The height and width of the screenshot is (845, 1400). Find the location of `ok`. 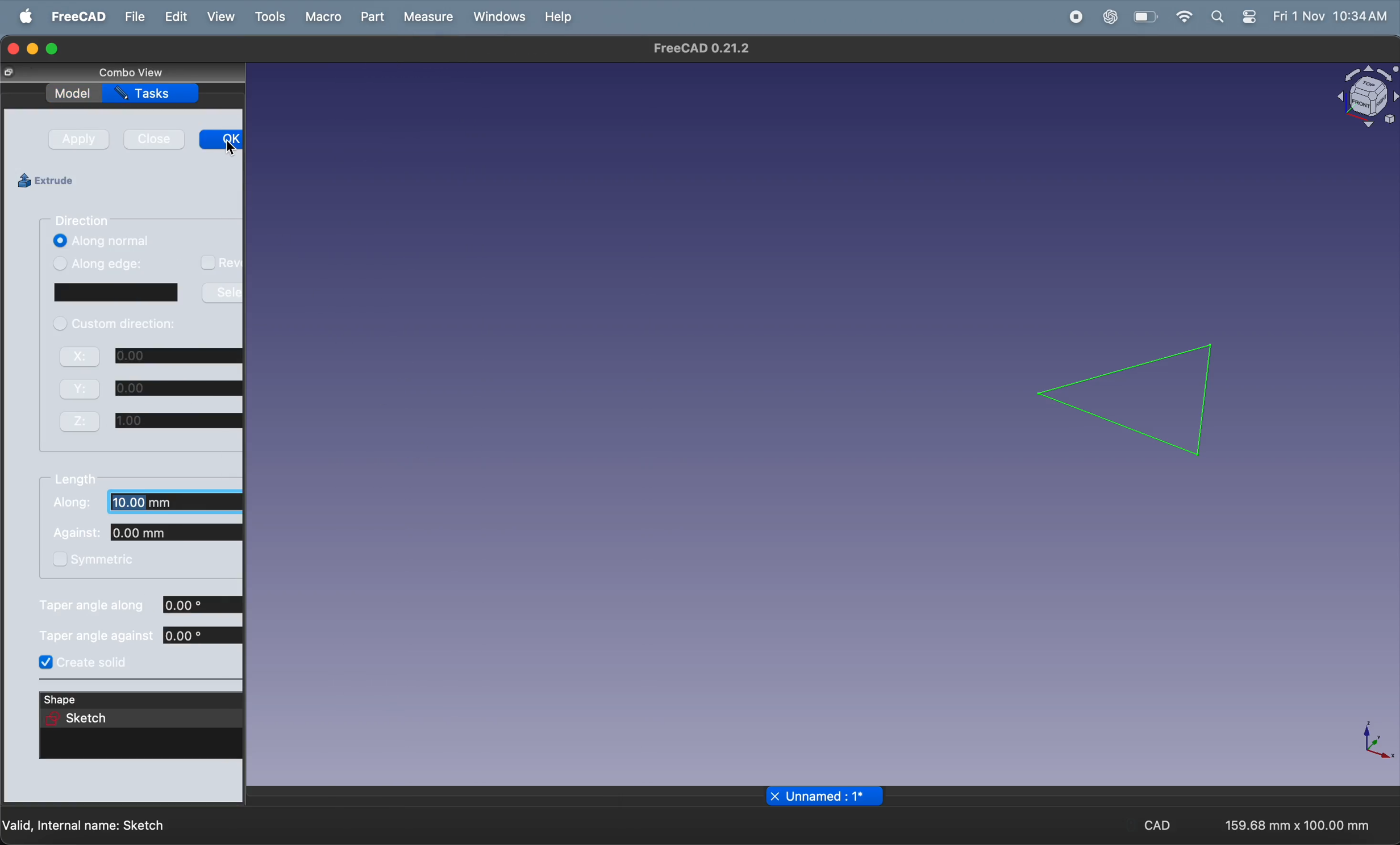

ok is located at coordinates (224, 139).